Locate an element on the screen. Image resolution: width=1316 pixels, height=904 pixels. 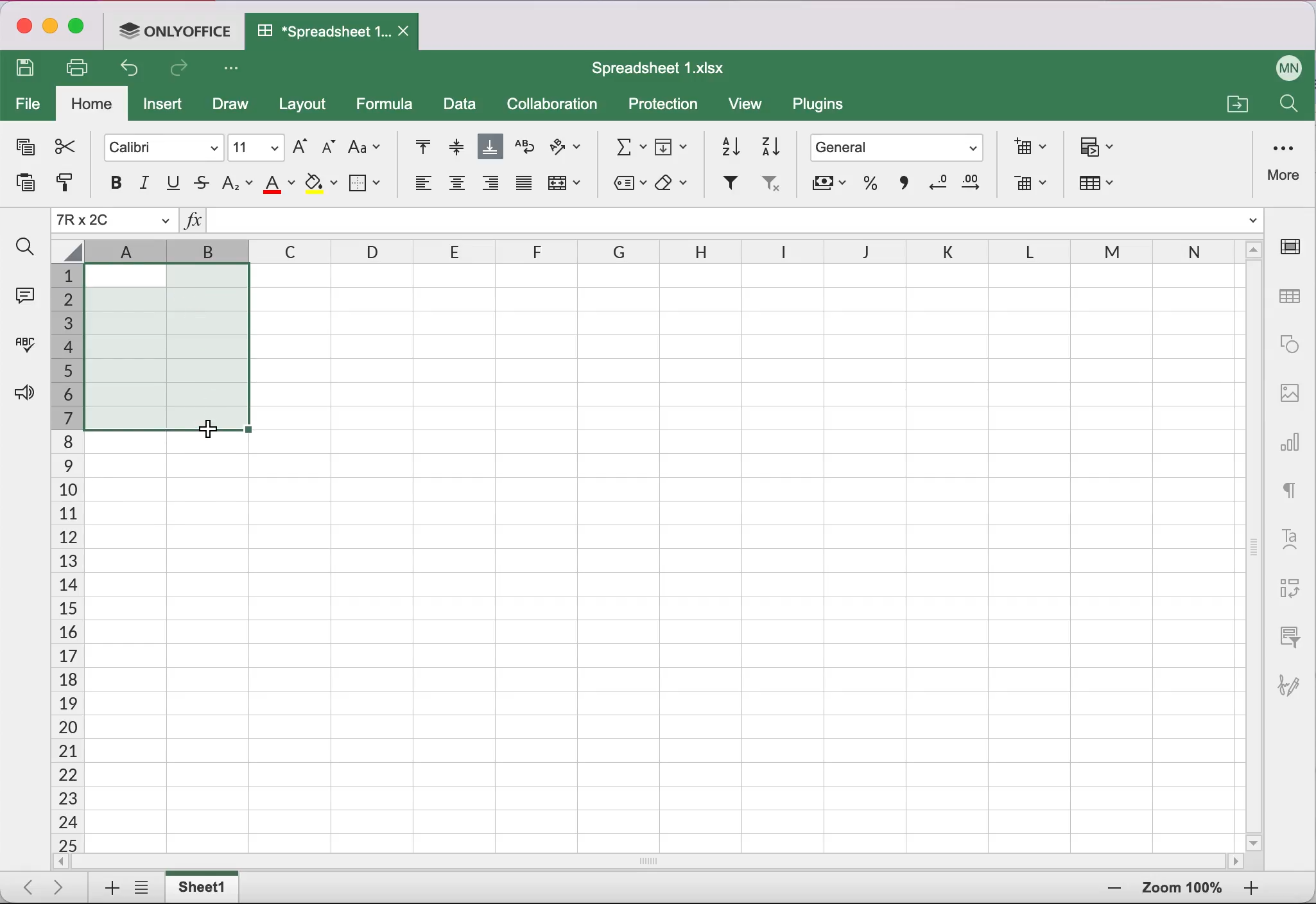
view is located at coordinates (751, 107).